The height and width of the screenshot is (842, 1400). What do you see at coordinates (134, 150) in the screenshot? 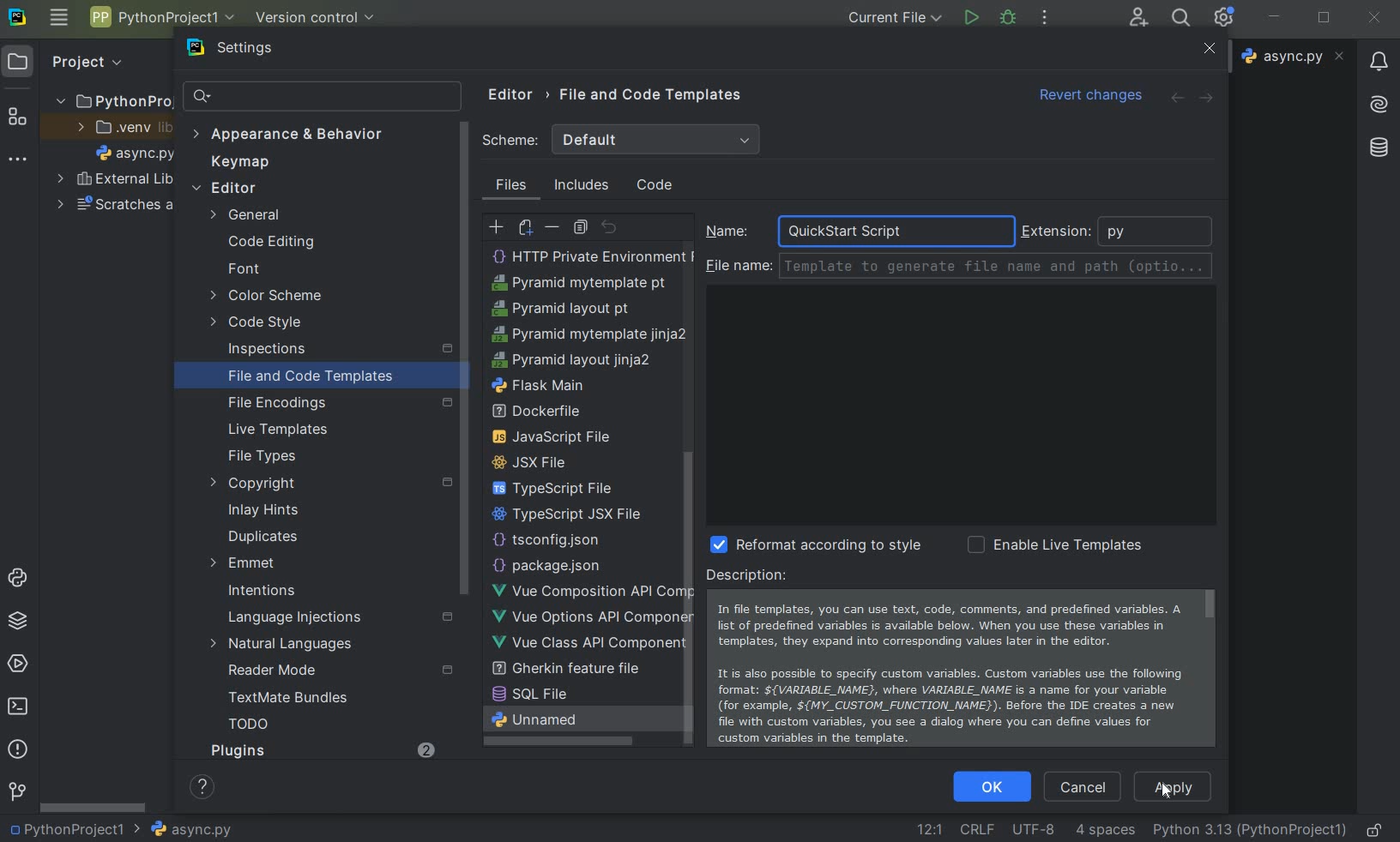
I see `file name` at bounding box center [134, 150].